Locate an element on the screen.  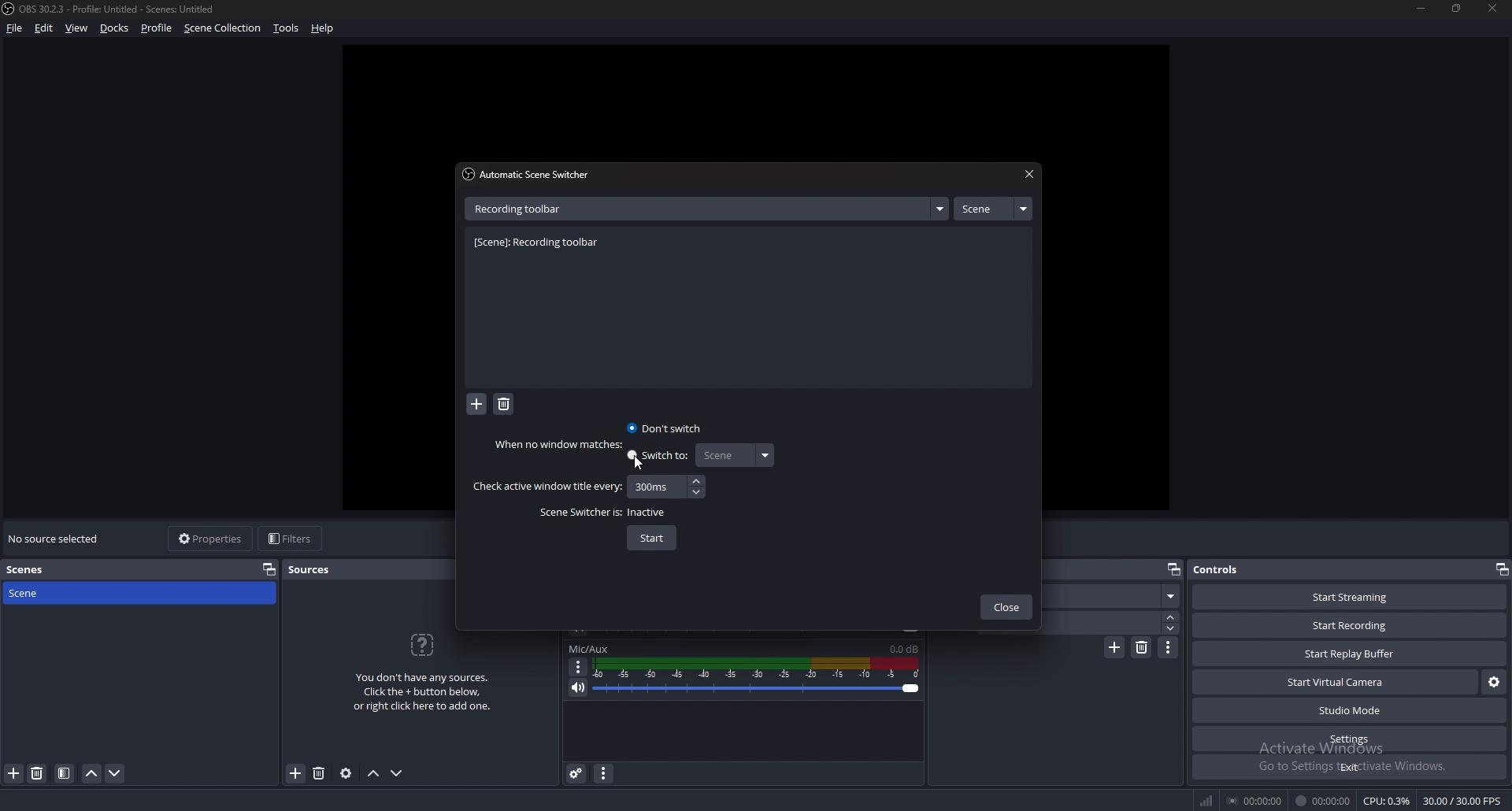
pop out is located at coordinates (1173, 570).